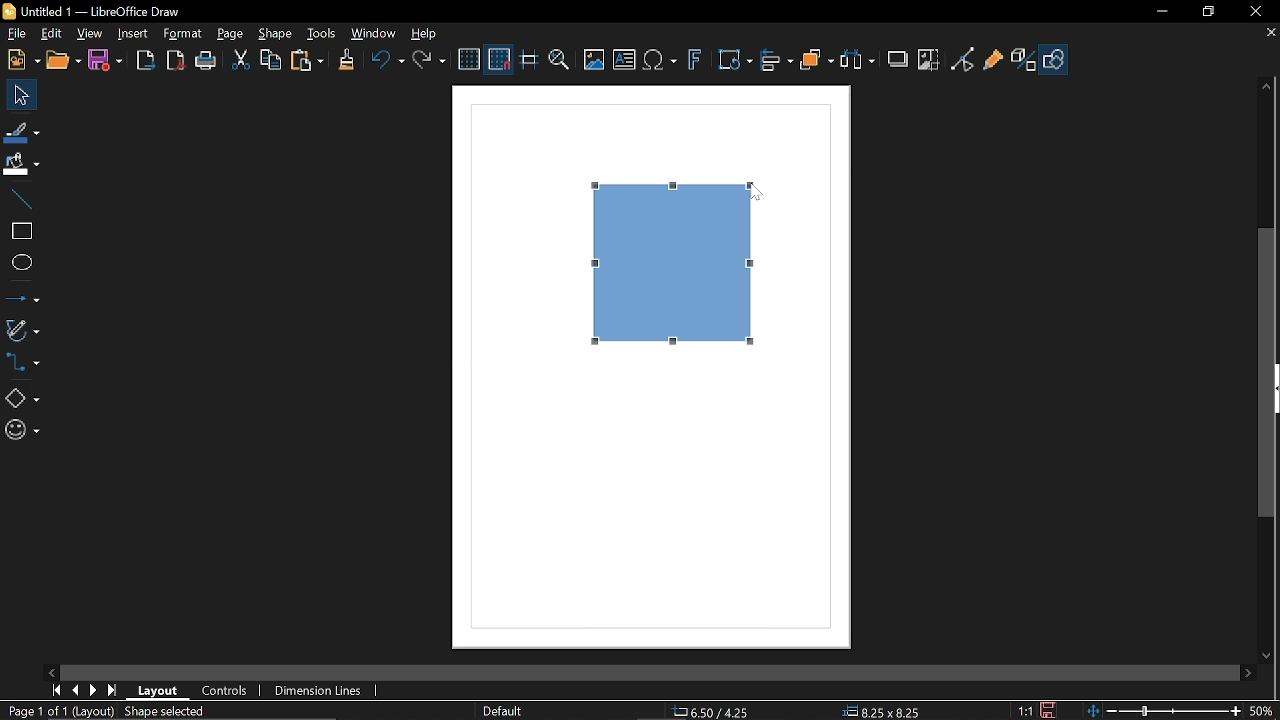 The image size is (1280, 720). I want to click on HElp, so click(427, 36).